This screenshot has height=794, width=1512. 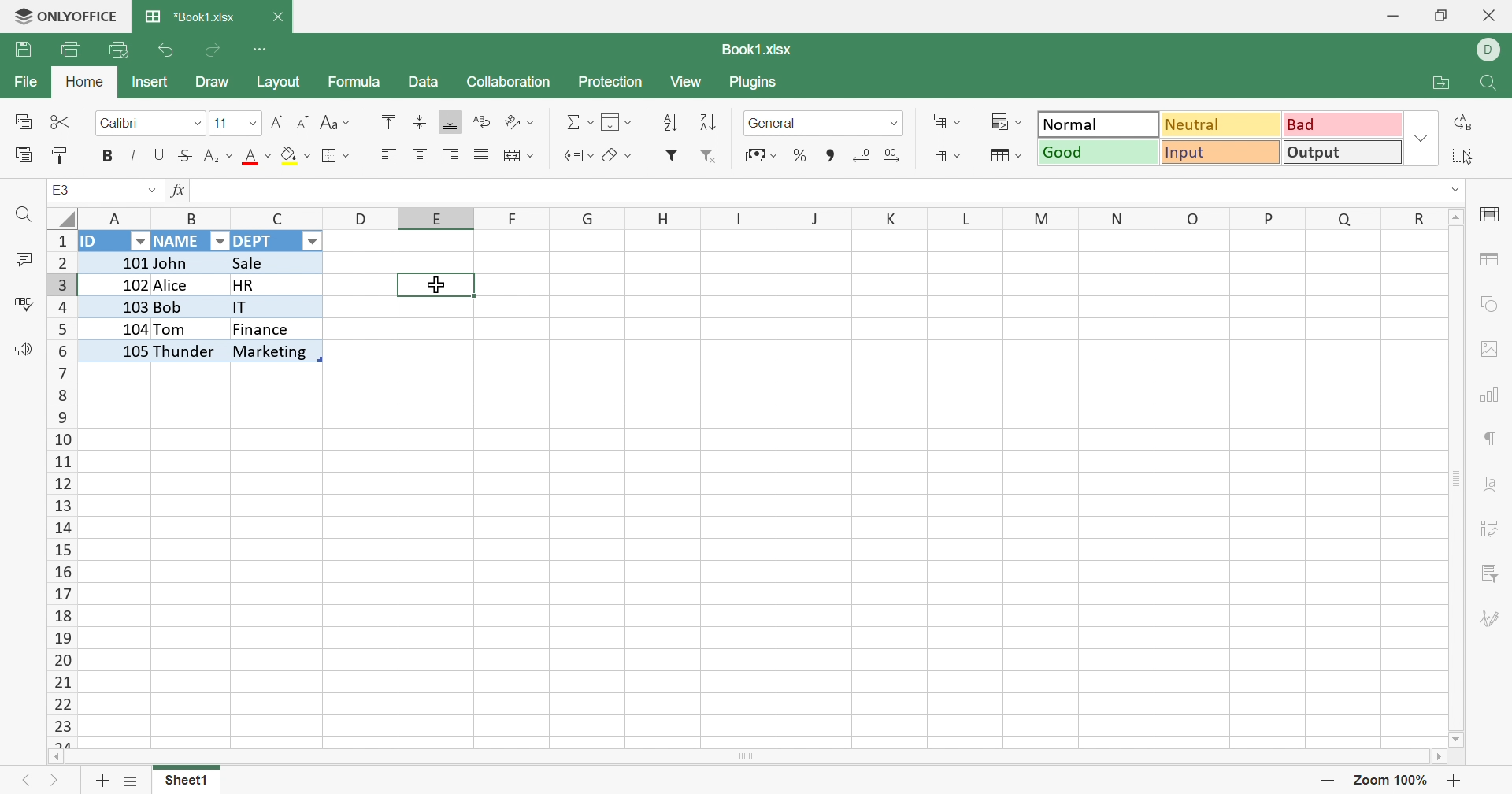 I want to click on Pivot Table settings, so click(x=1491, y=529).